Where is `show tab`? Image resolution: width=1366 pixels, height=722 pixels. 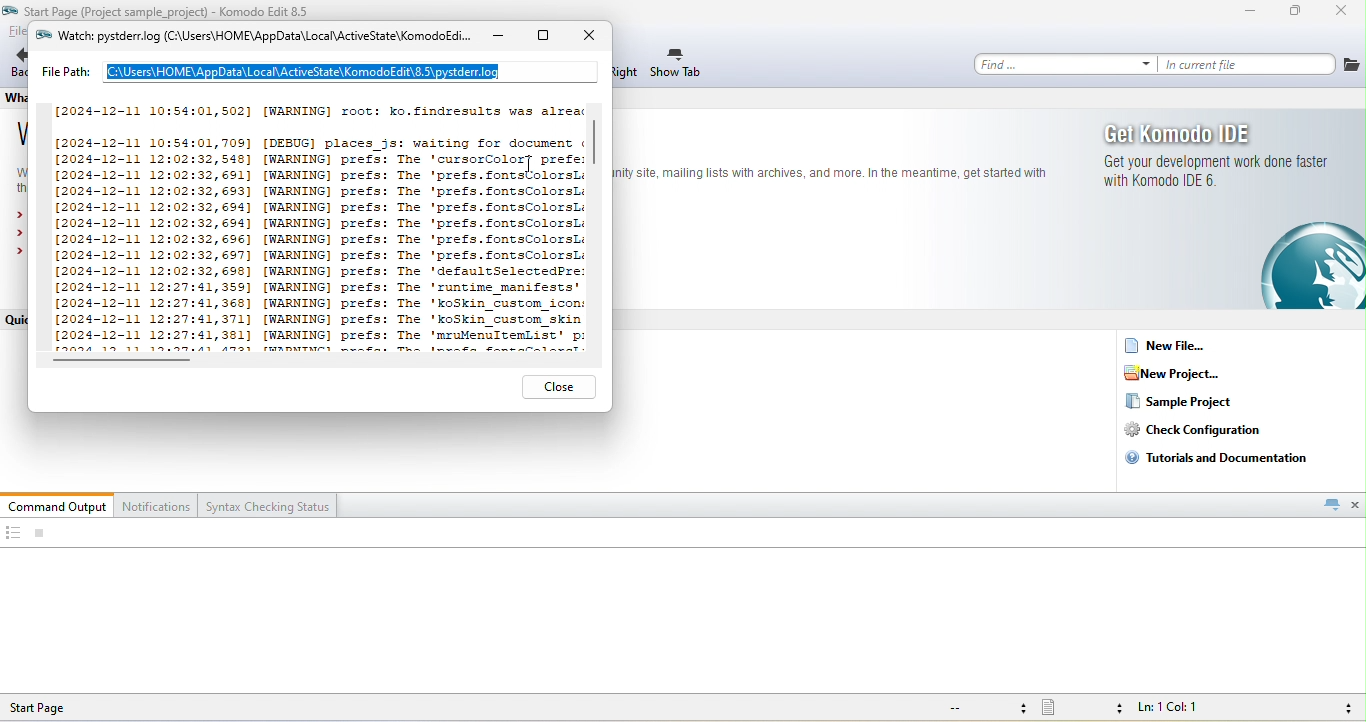 show tab is located at coordinates (677, 64).